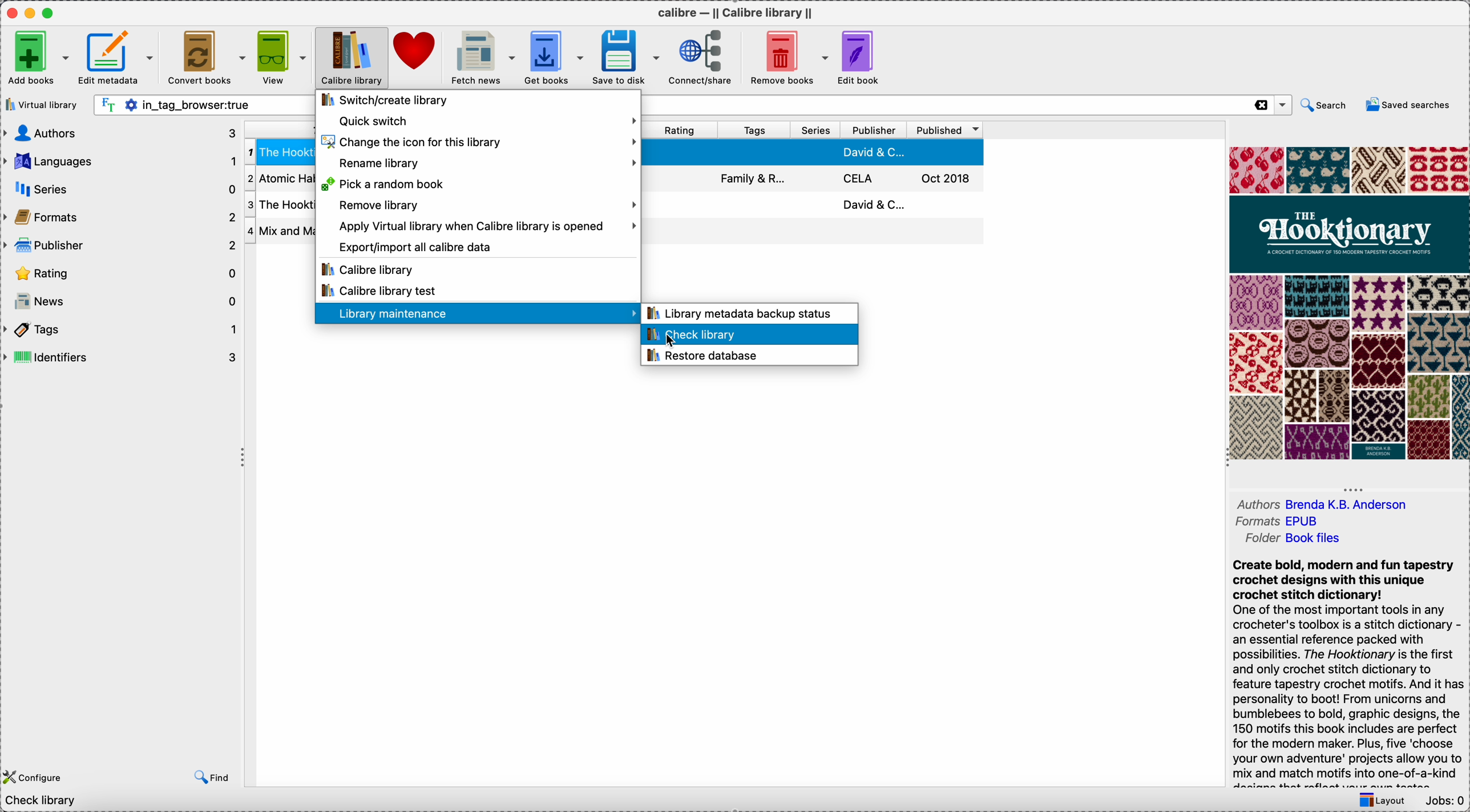 The width and height of the screenshot is (1470, 812). I want to click on synopsis, so click(1350, 673).